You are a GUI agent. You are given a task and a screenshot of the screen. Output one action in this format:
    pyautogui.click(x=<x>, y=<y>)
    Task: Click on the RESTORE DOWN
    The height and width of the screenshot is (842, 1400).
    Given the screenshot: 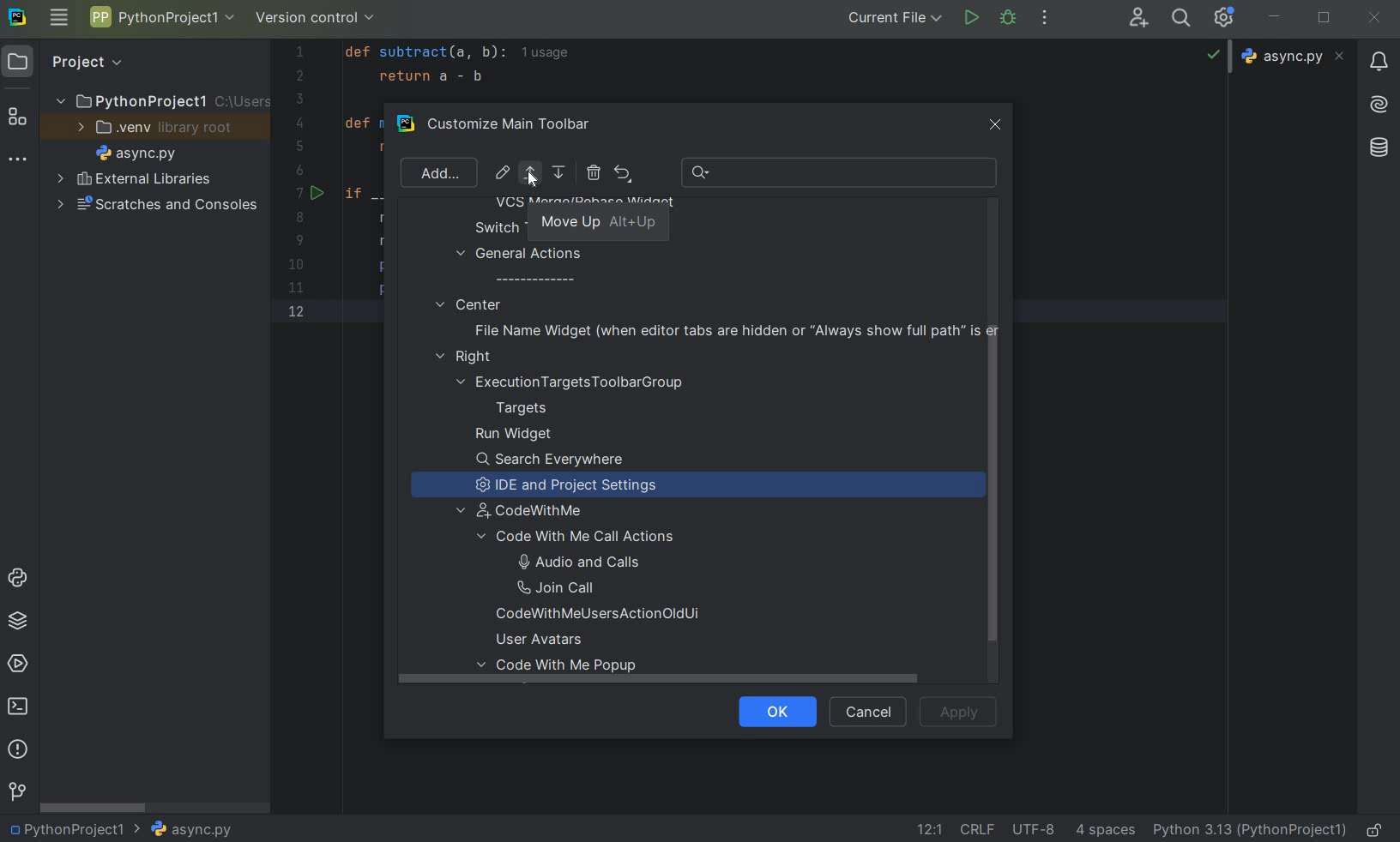 What is the action you would take?
    pyautogui.click(x=1325, y=15)
    